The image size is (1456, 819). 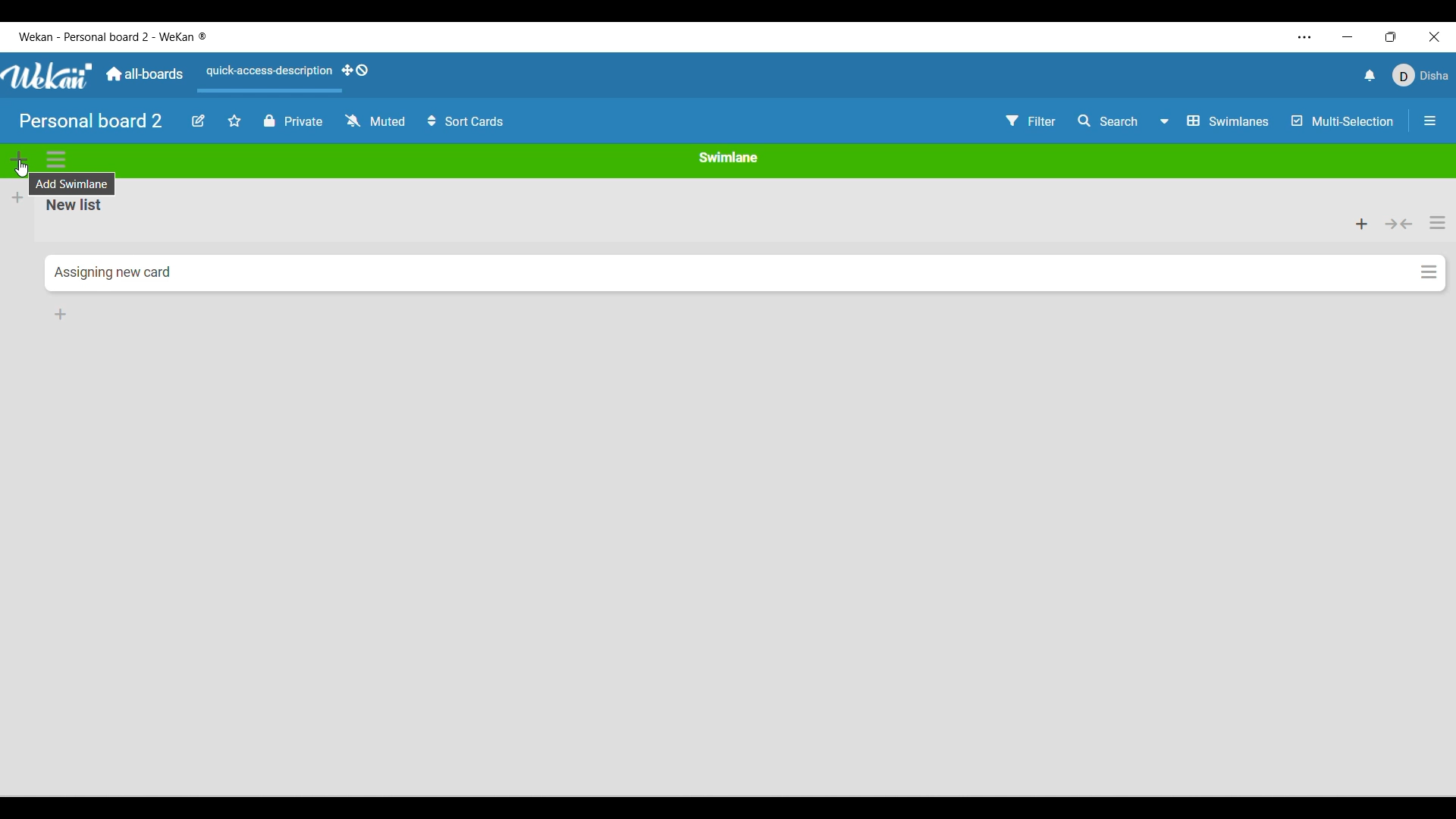 What do you see at coordinates (1214, 121) in the screenshot?
I see `Board view options` at bounding box center [1214, 121].